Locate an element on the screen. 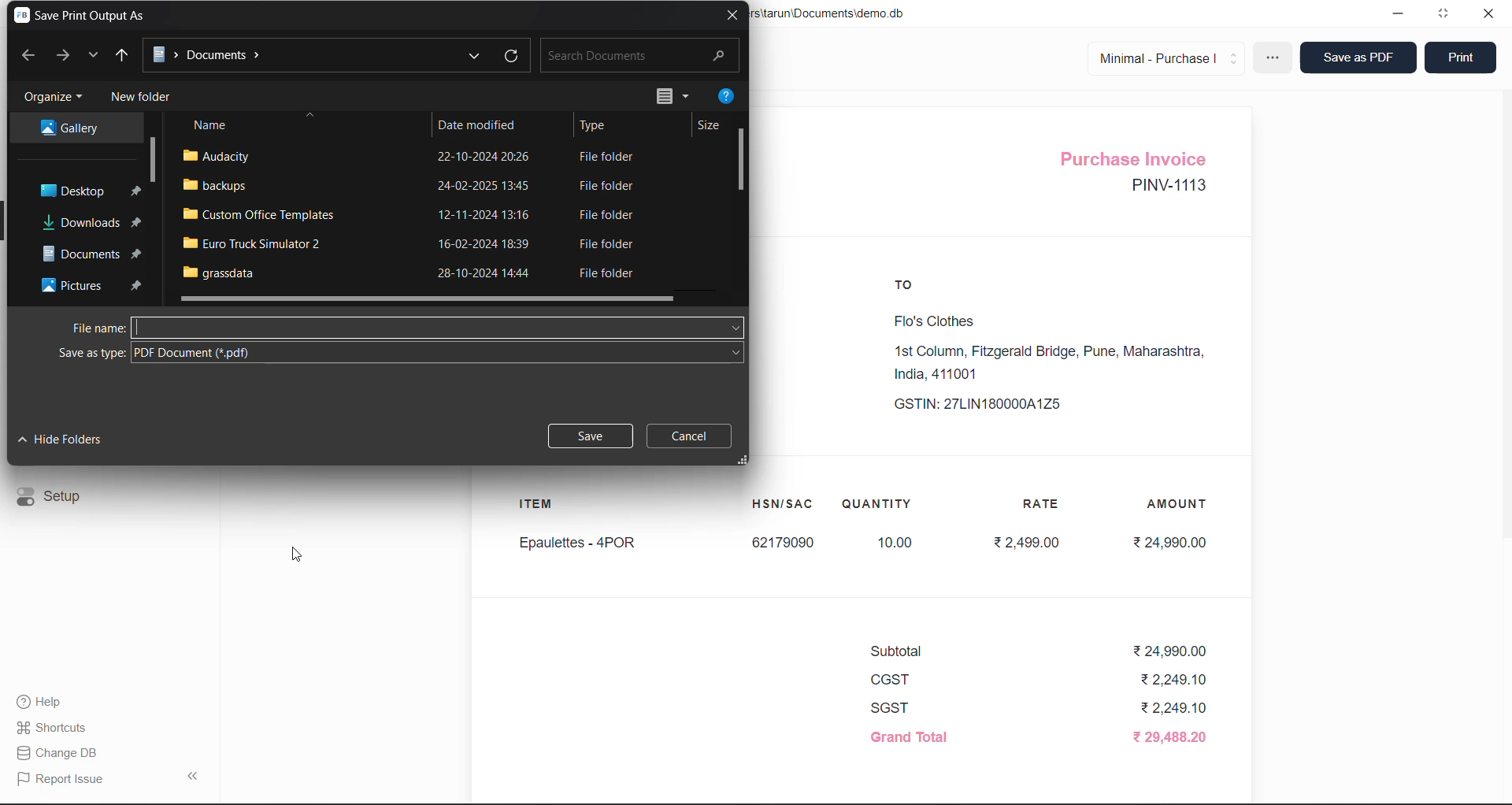 The image size is (1512, 805). Date modified is located at coordinates (480, 125).